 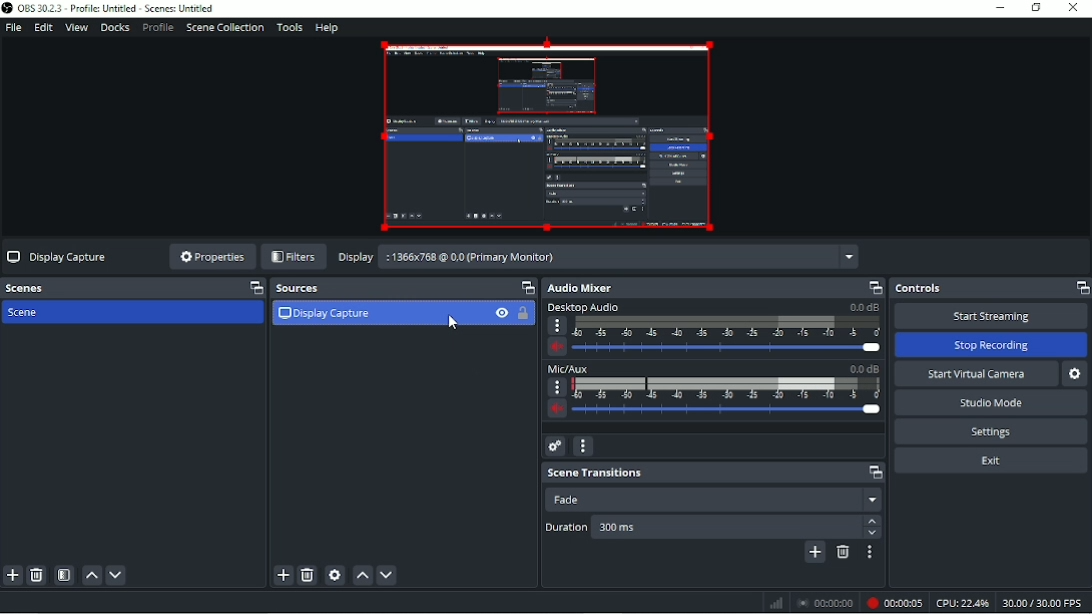 I want to click on Graph, so click(x=777, y=602).